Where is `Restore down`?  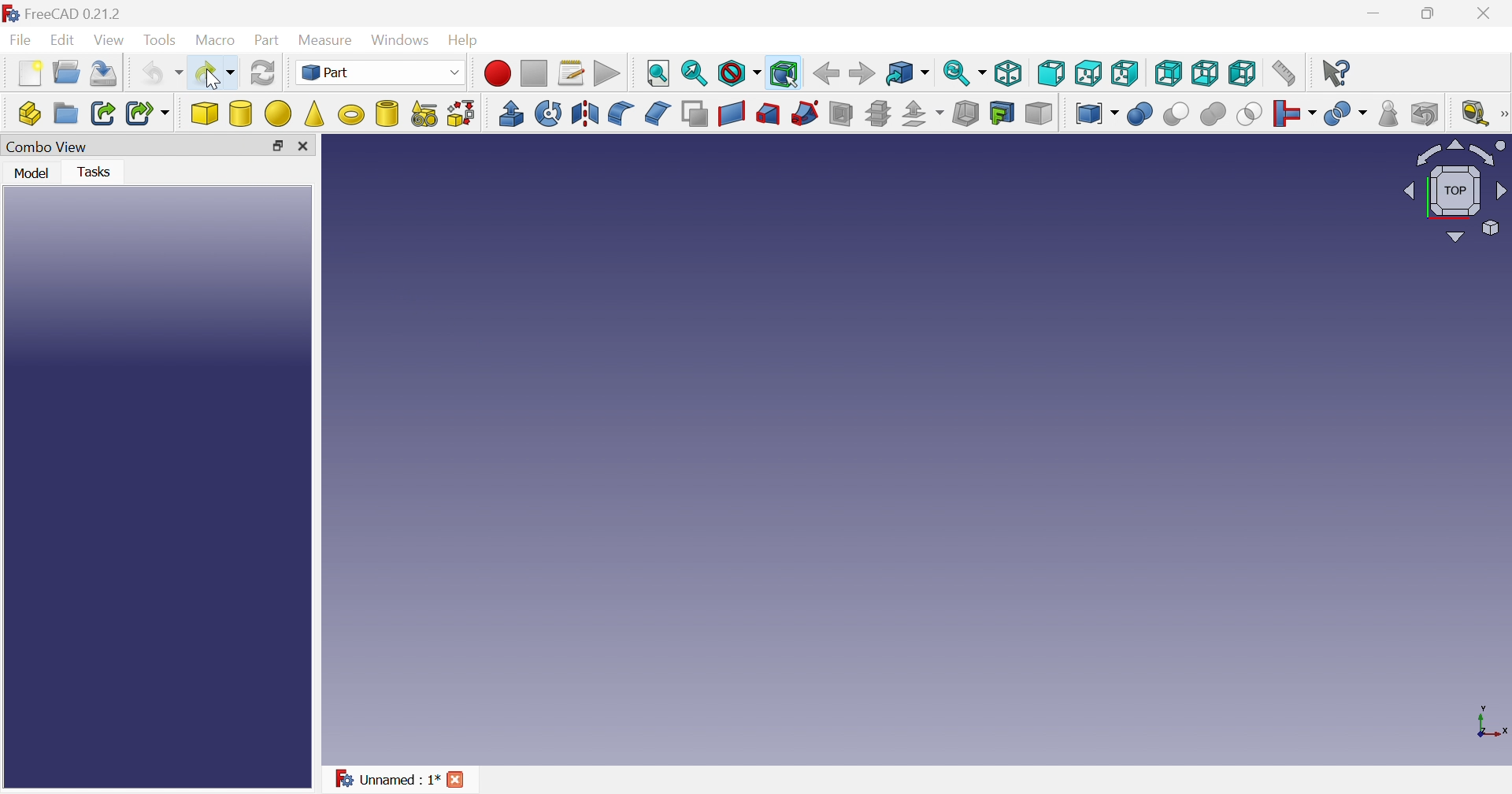 Restore down is located at coordinates (277, 145).